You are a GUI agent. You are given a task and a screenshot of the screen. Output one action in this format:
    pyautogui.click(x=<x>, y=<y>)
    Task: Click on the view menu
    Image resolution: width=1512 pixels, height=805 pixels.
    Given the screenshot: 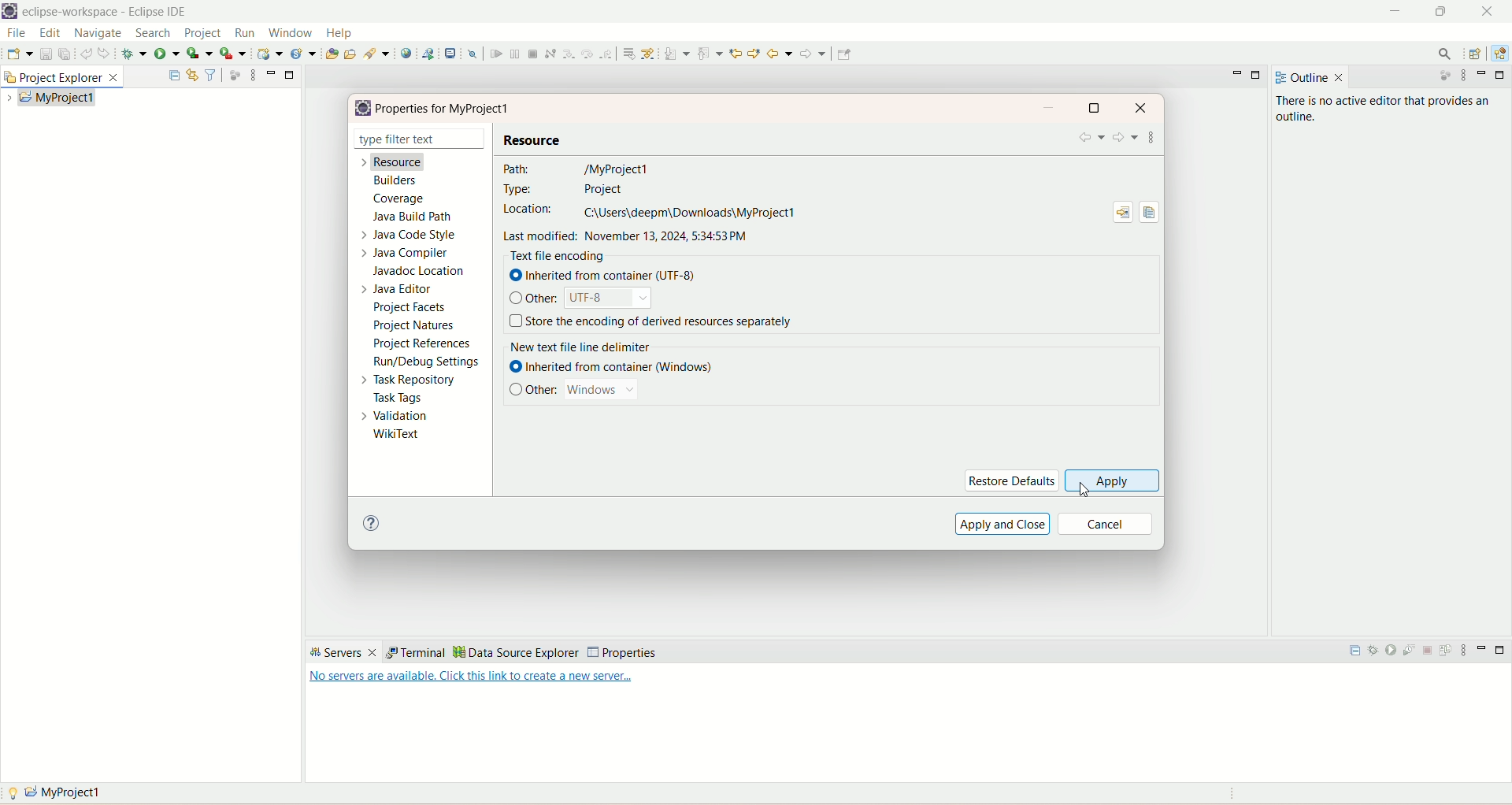 What is the action you would take?
    pyautogui.click(x=1462, y=75)
    